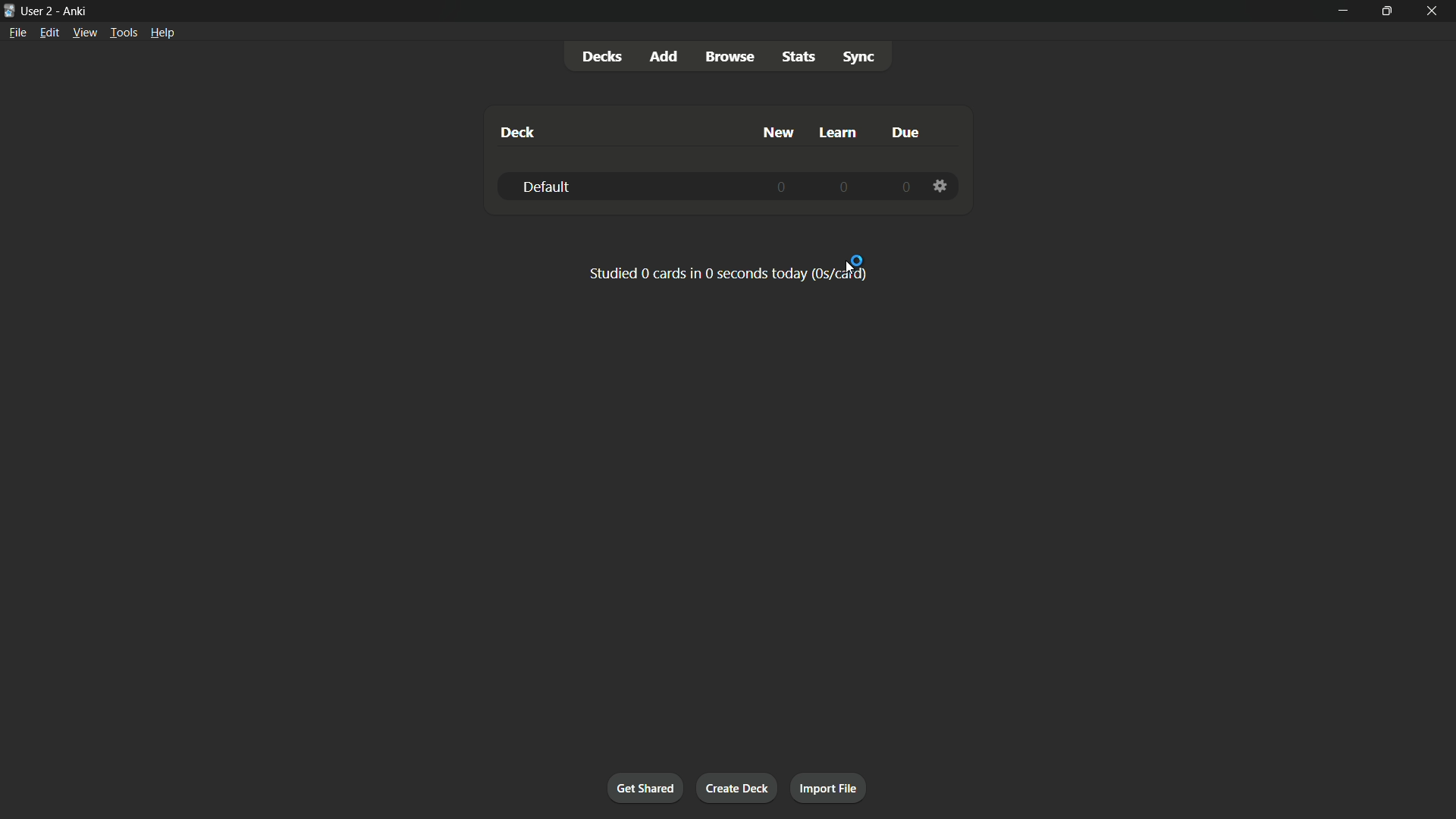  I want to click on Deck-2, so click(549, 188).